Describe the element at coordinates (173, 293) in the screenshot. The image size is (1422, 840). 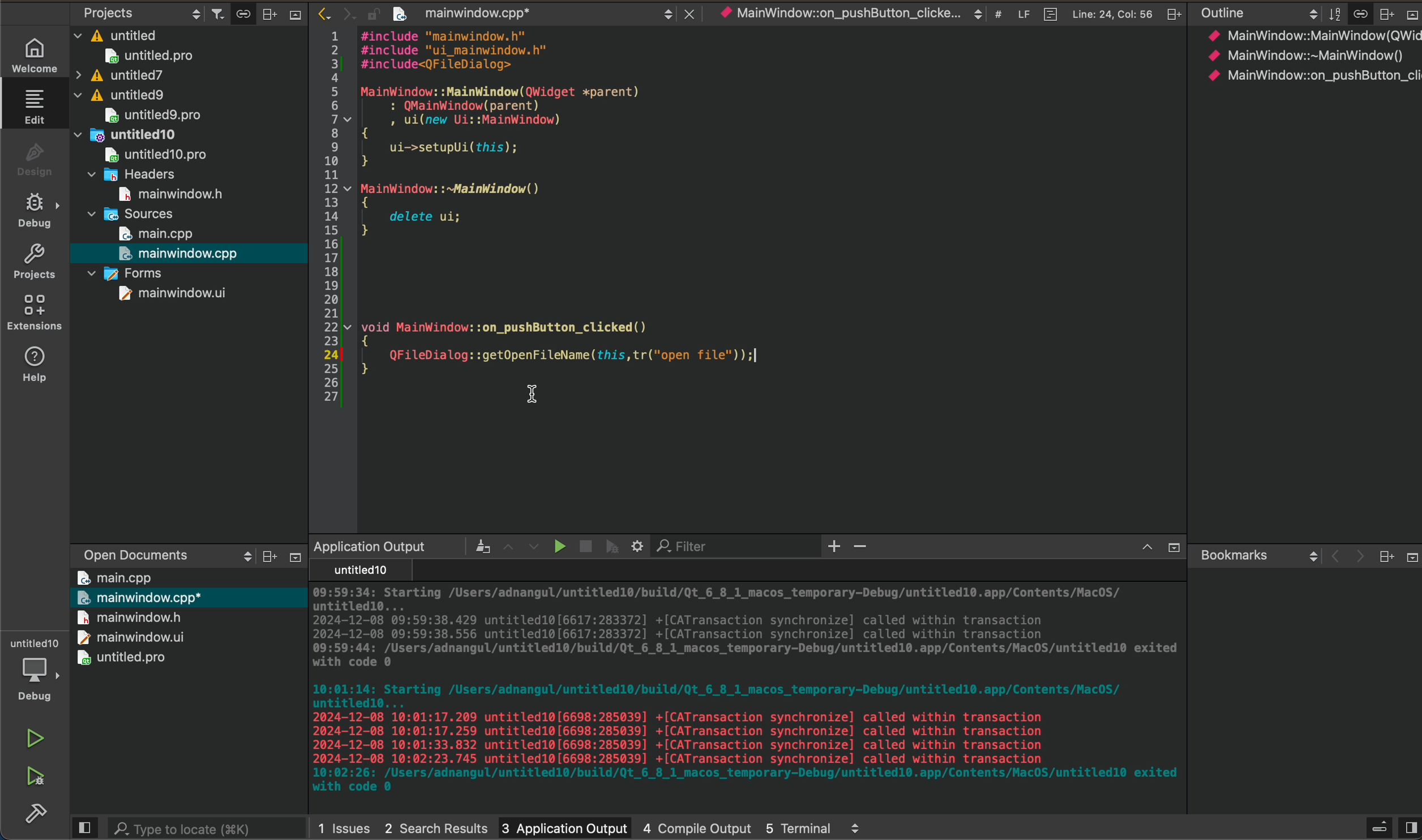
I see `mainwindow.ui` at that location.